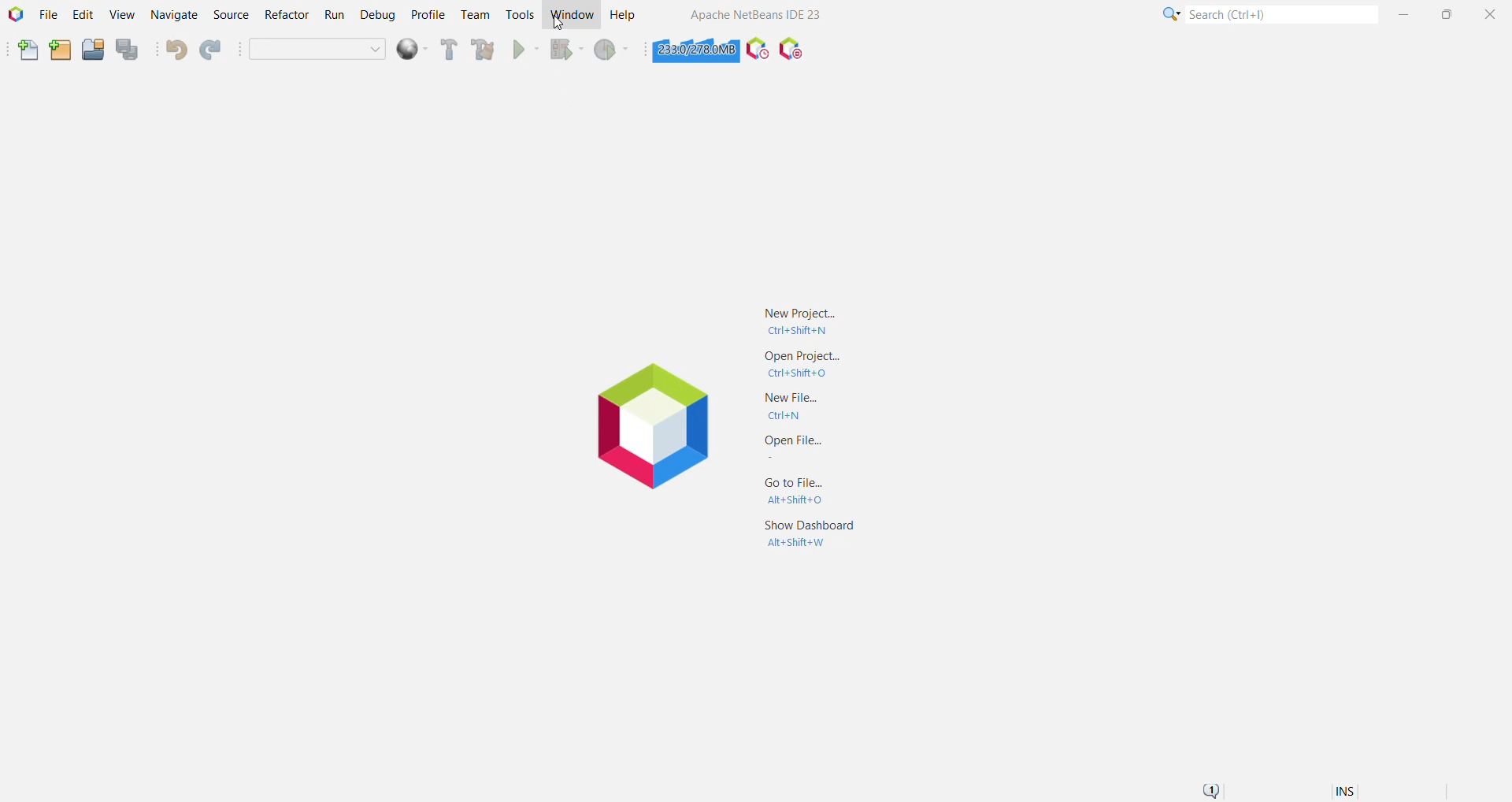 The height and width of the screenshot is (802, 1512). Describe the element at coordinates (229, 15) in the screenshot. I see `Source` at that location.